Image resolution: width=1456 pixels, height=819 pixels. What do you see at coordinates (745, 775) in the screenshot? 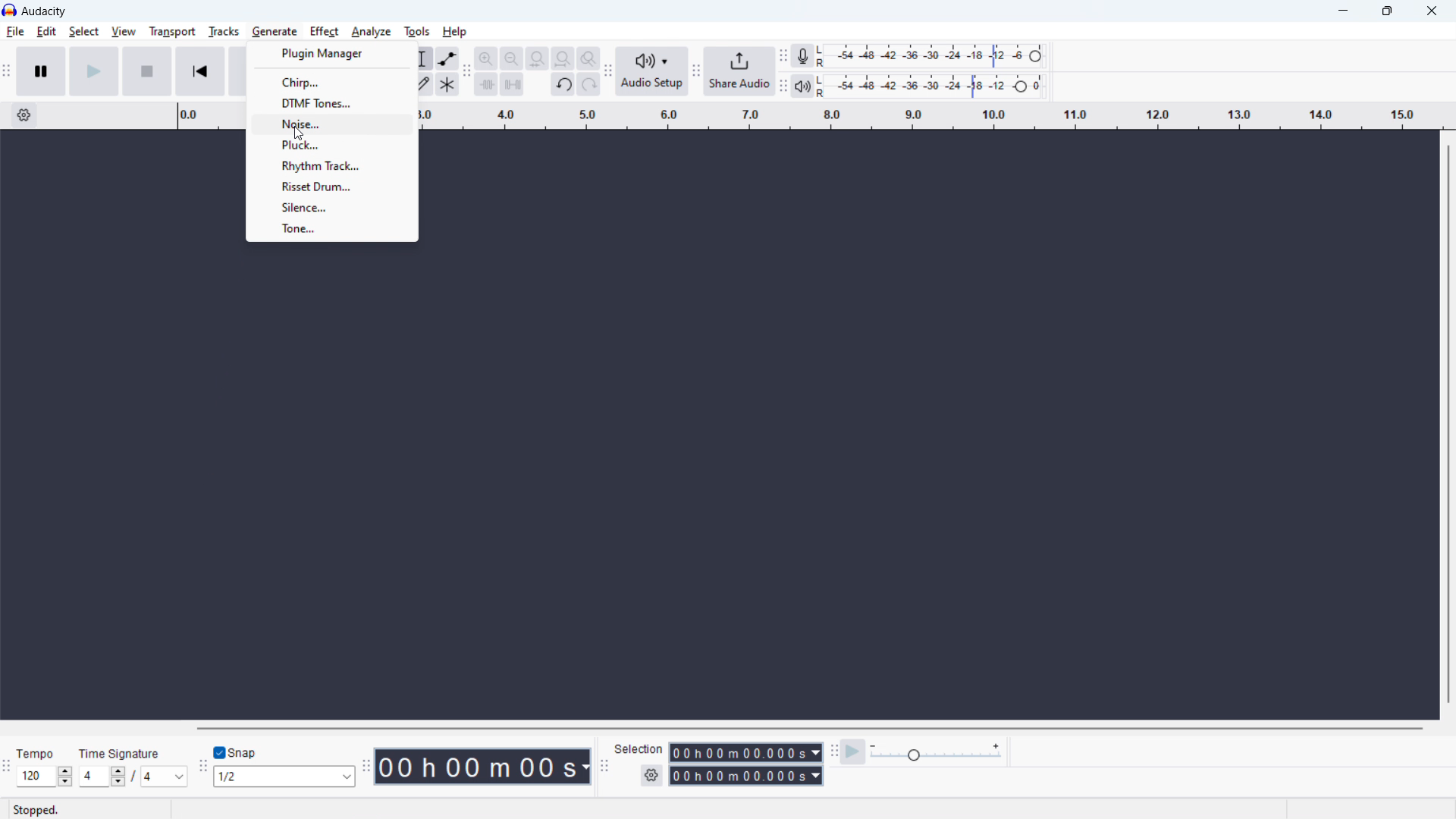
I see `end time` at bounding box center [745, 775].